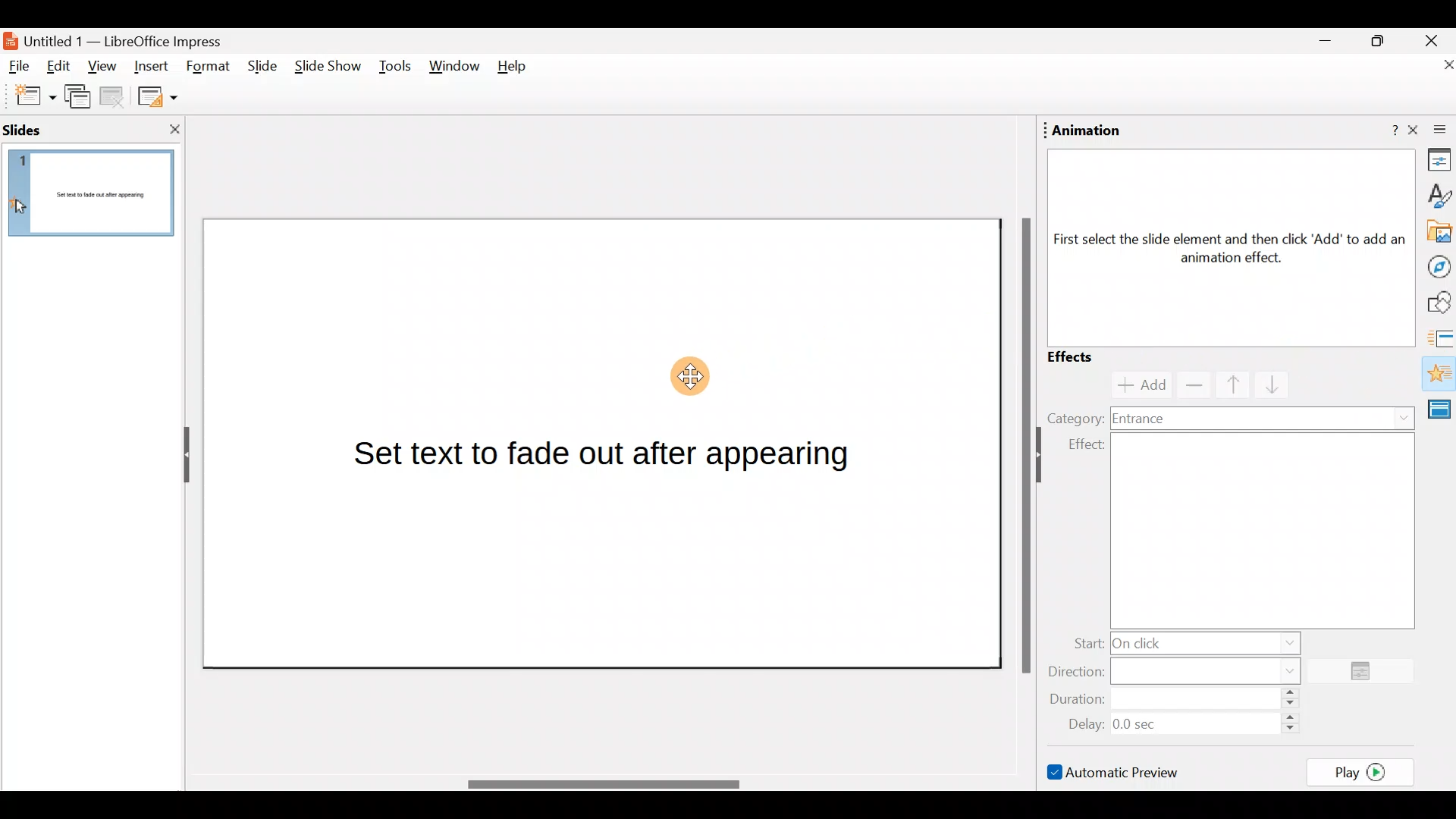 The height and width of the screenshot is (819, 1456). What do you see at coordinates (1432, 39) in the screenshot?
I see `Close` at bounding box center [1432, 39].